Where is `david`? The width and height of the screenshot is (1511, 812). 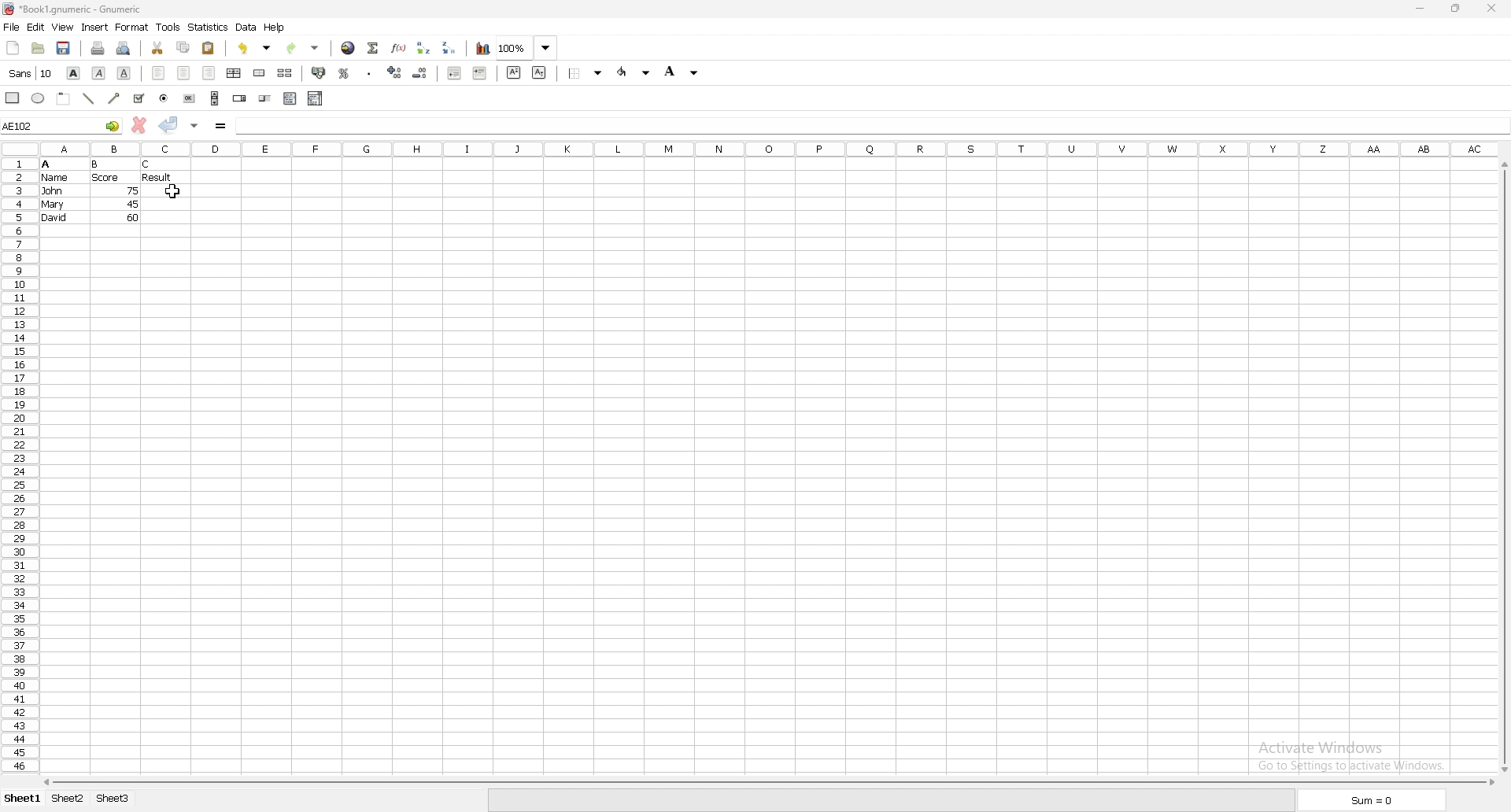
david is located at coordinates (54, 218).